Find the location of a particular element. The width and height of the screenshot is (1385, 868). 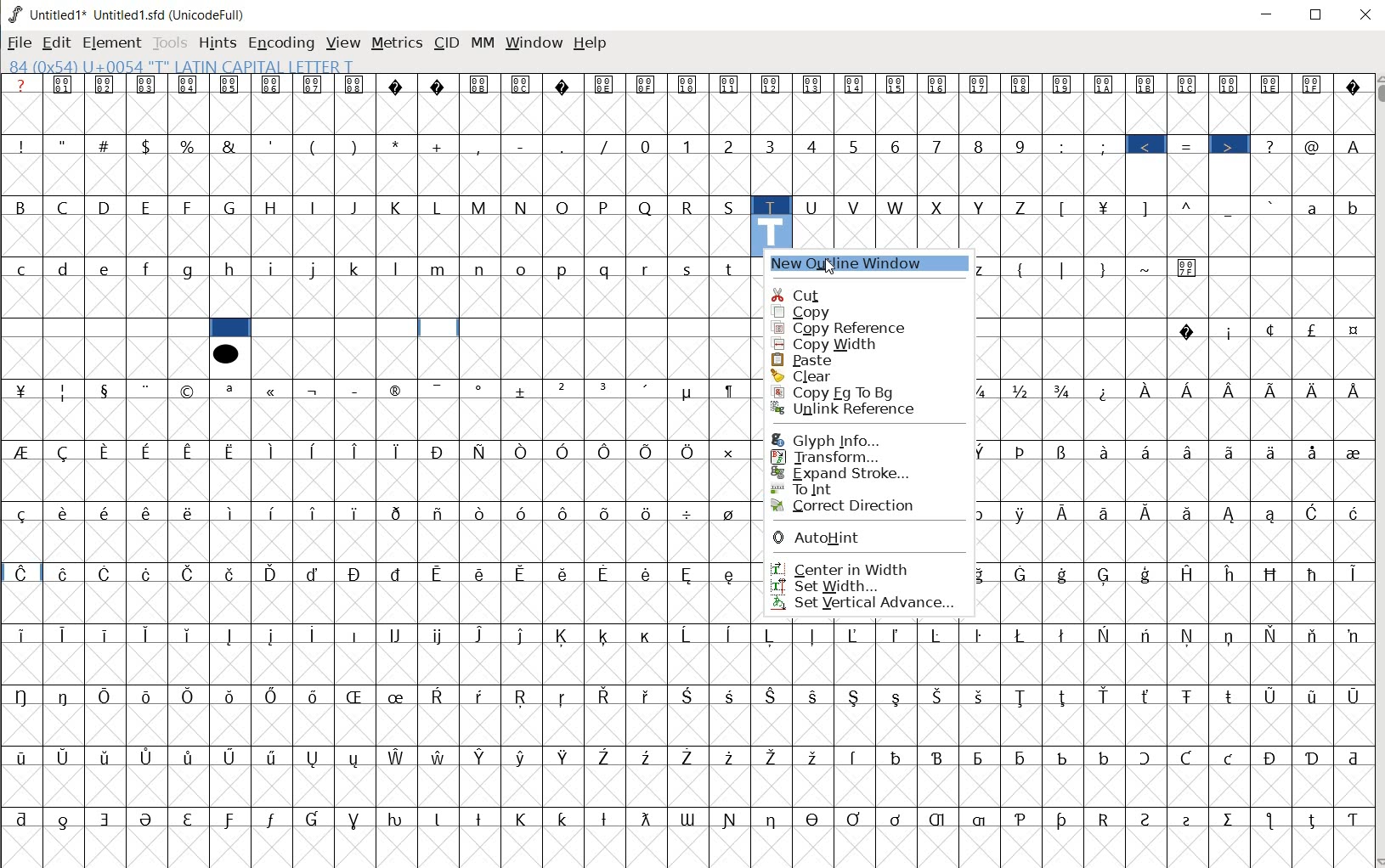

Symbol is located at coordinates (188, 572).